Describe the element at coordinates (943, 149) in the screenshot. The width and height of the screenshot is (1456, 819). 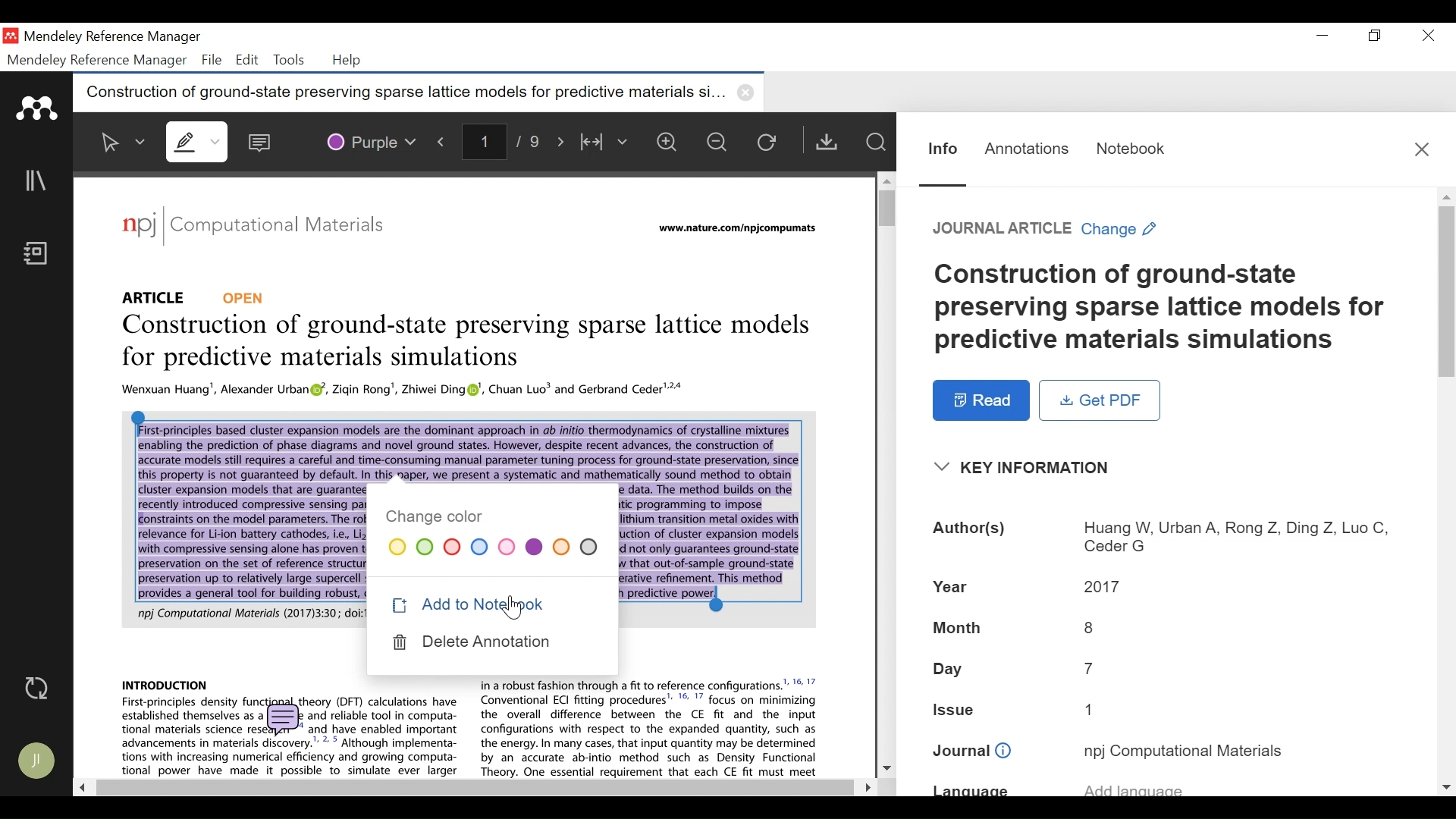
I see `Information ` at that location.